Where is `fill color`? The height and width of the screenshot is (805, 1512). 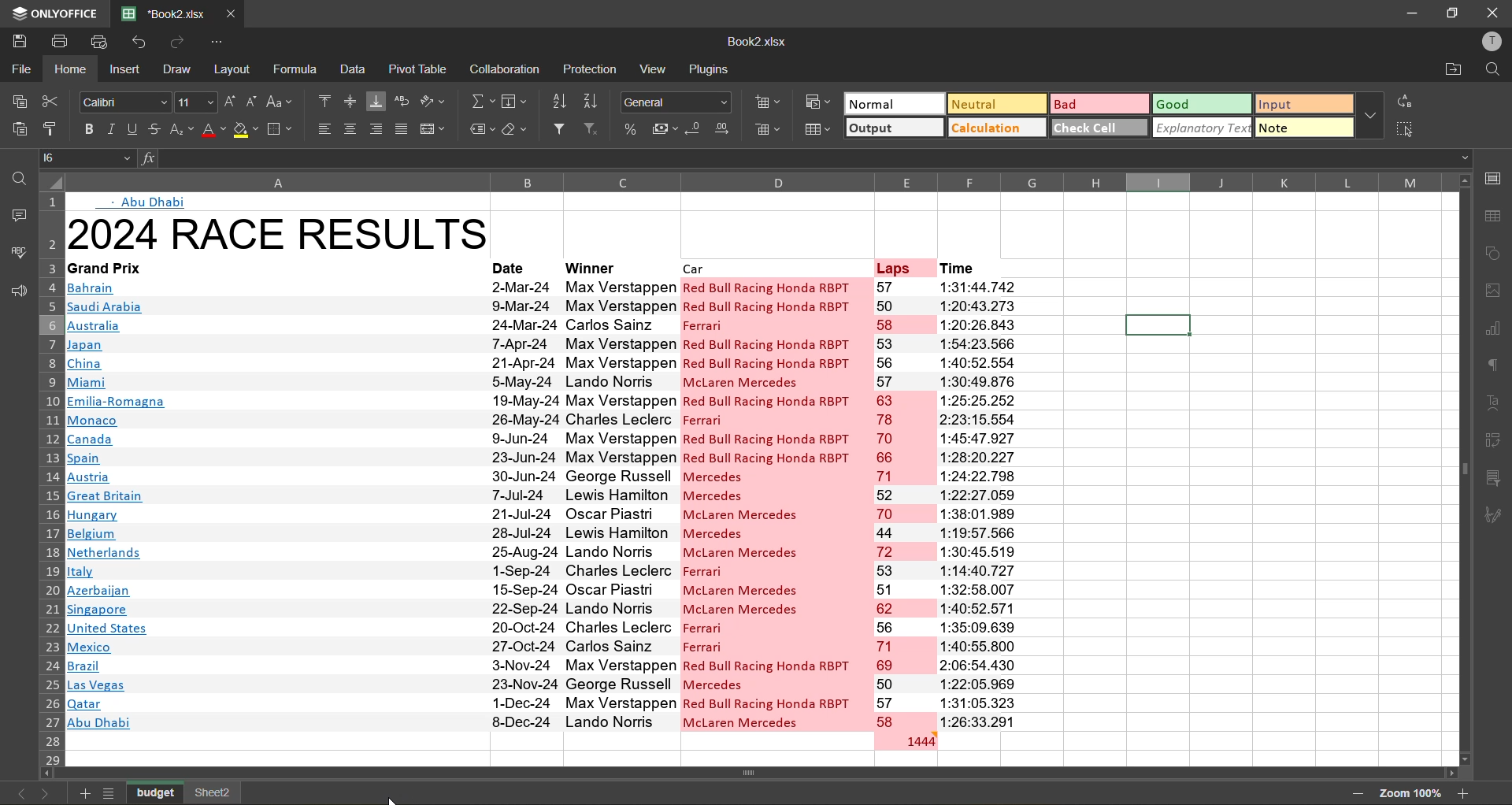 fill color is located at coordinates (245, 131).